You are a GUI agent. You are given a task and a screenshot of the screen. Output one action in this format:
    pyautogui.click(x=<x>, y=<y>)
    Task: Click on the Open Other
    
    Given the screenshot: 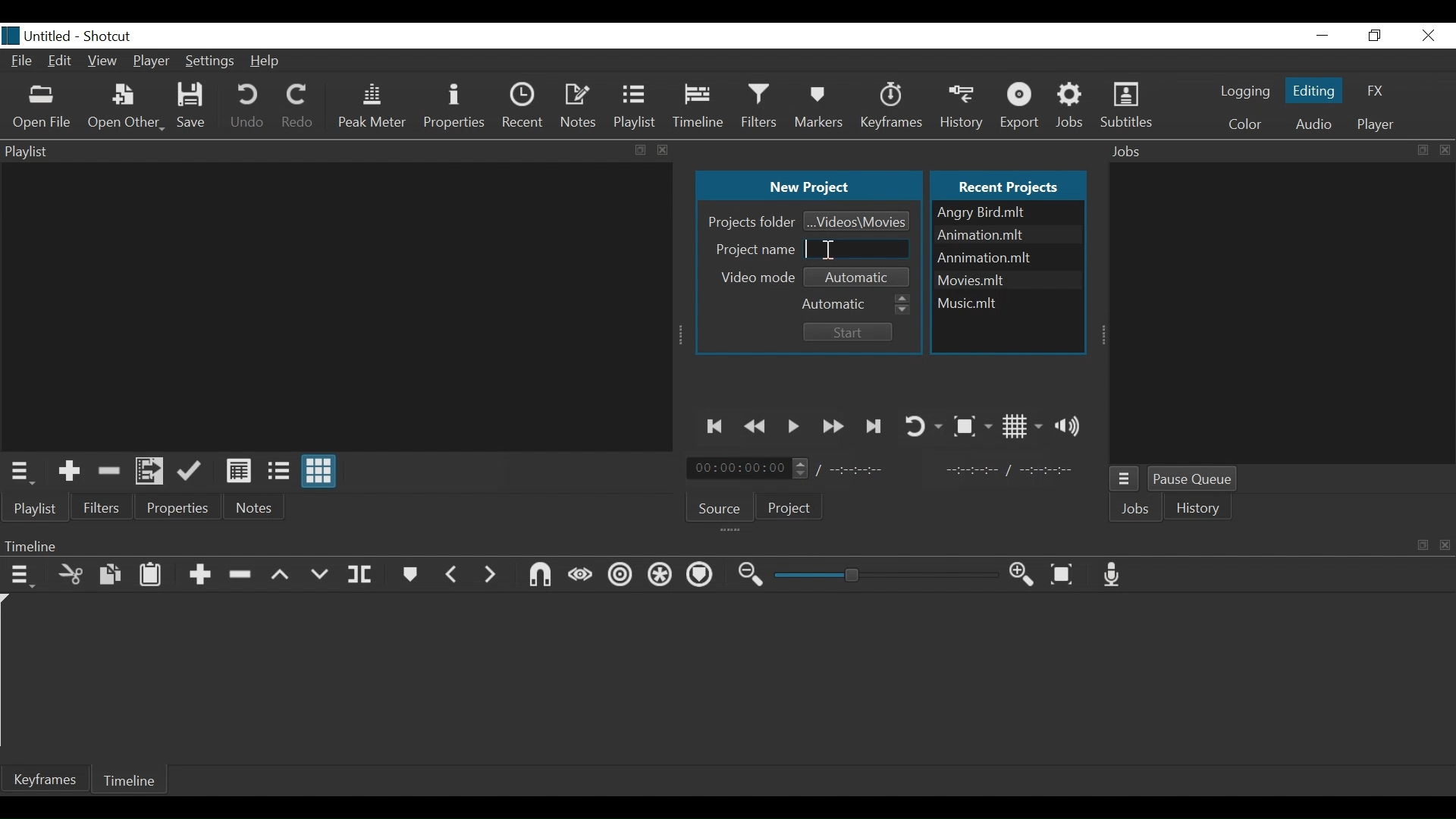 What is the action you would take?
    pyautogui.click(x=125, y=108)
    